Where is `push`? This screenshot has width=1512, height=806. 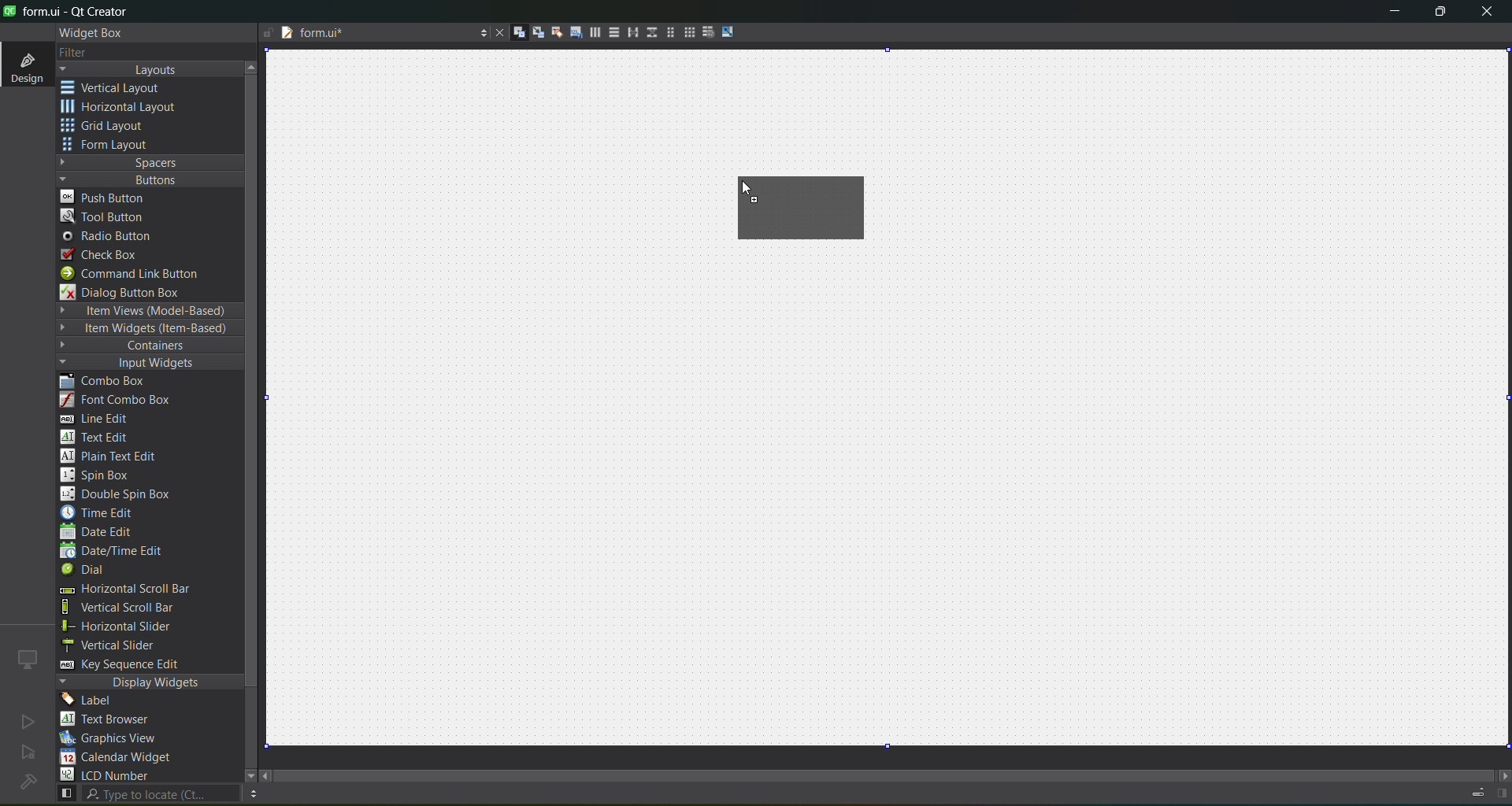
push is located at coordinates (105, 196).